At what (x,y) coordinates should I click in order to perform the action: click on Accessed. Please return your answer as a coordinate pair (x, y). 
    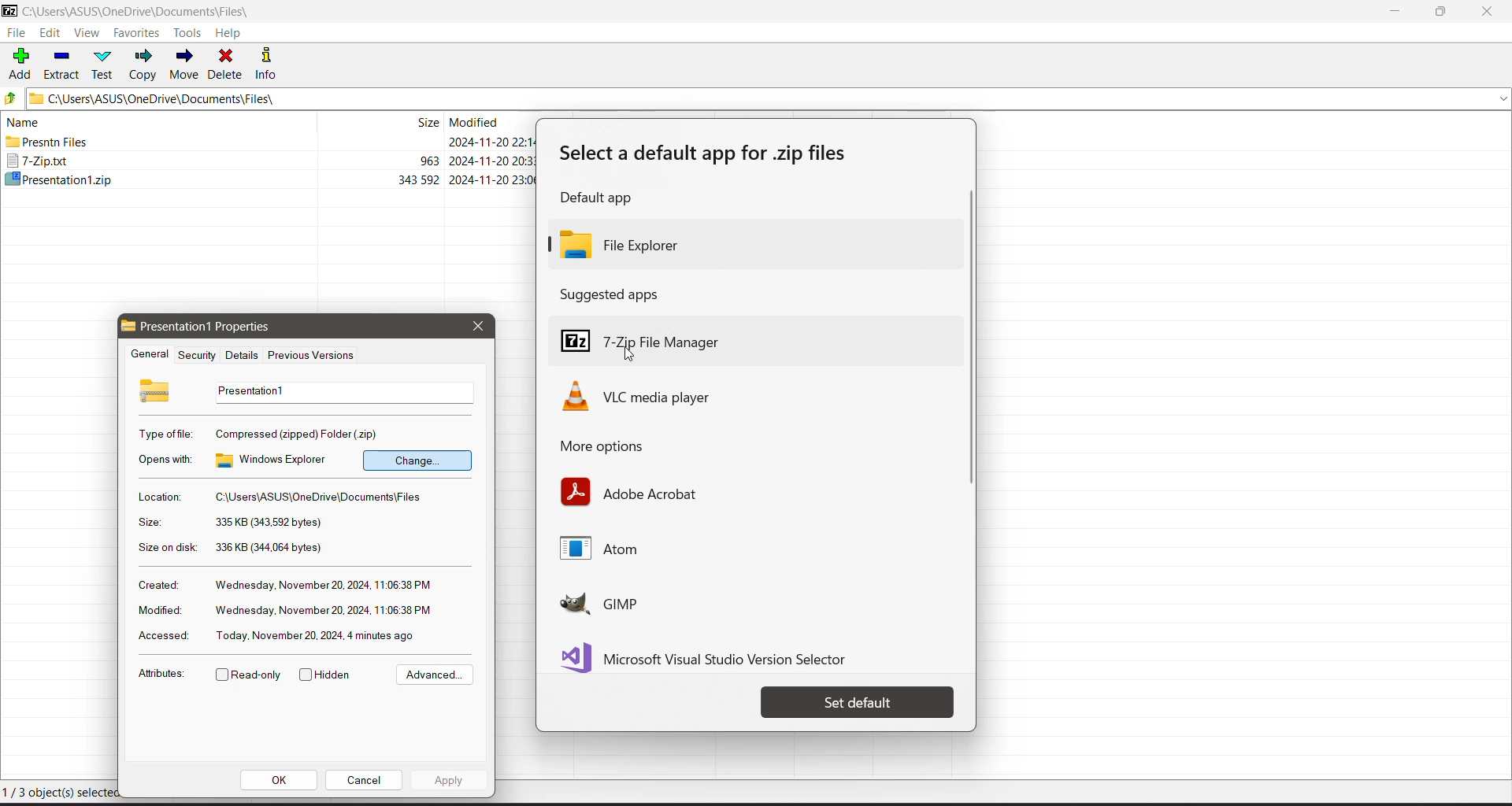
    Looking at the image, I should click on (161, 637).